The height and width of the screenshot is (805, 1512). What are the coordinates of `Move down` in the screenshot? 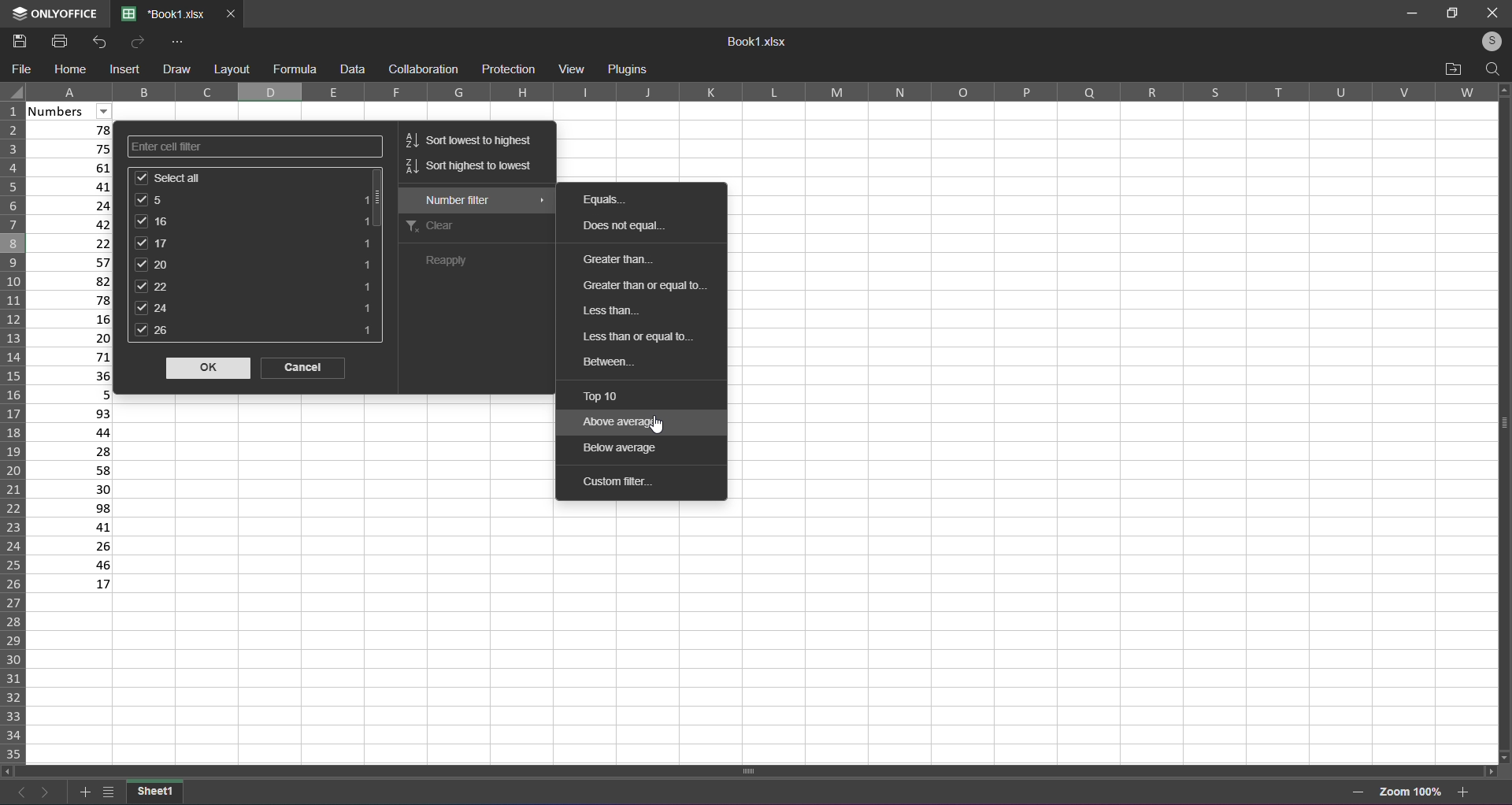 It's located at (1505, 755).